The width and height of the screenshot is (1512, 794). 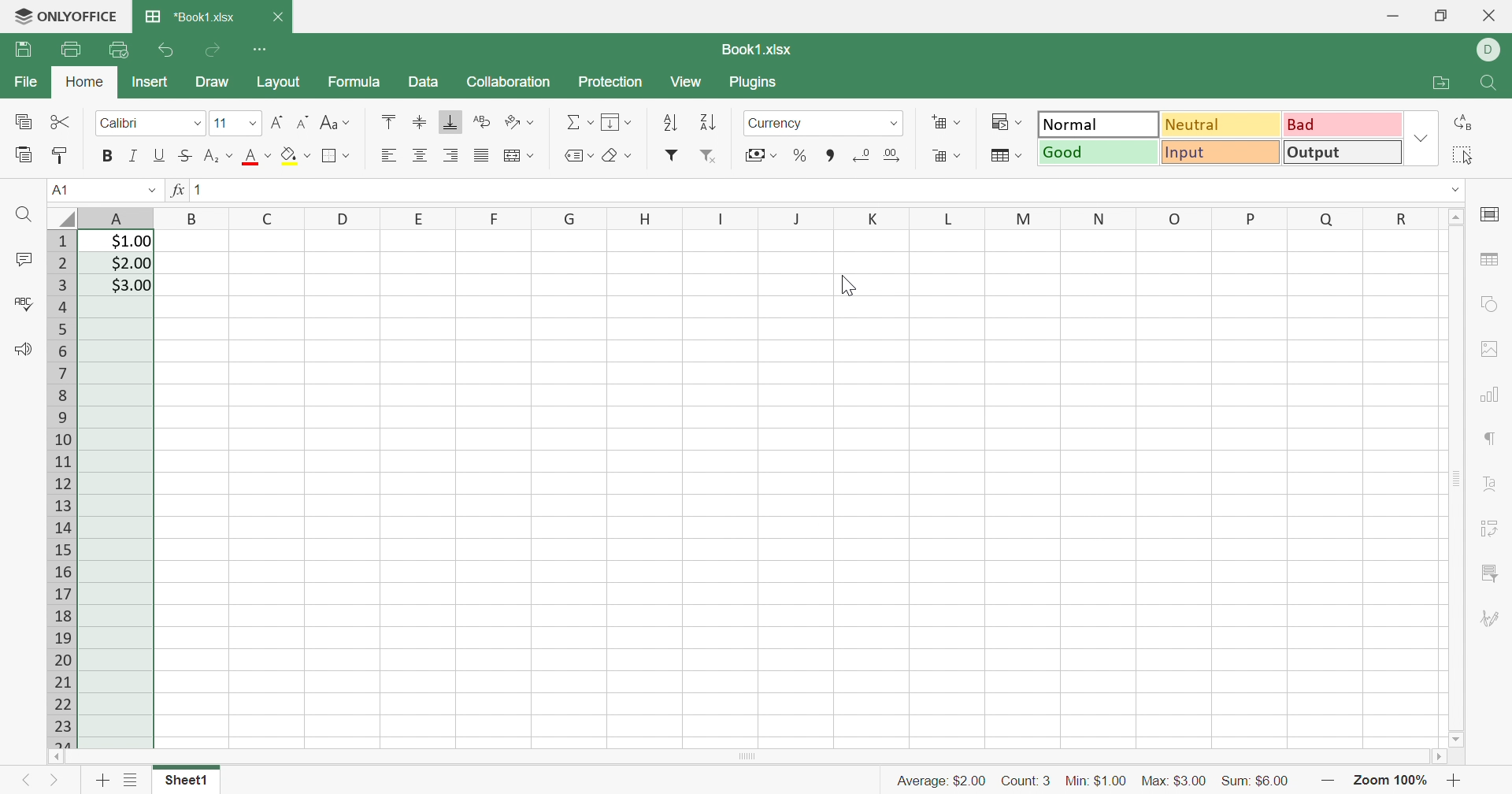 What do you see at coordinates (204, 191) in the screenshot?
I see `1` at bounding box center [204, 191].